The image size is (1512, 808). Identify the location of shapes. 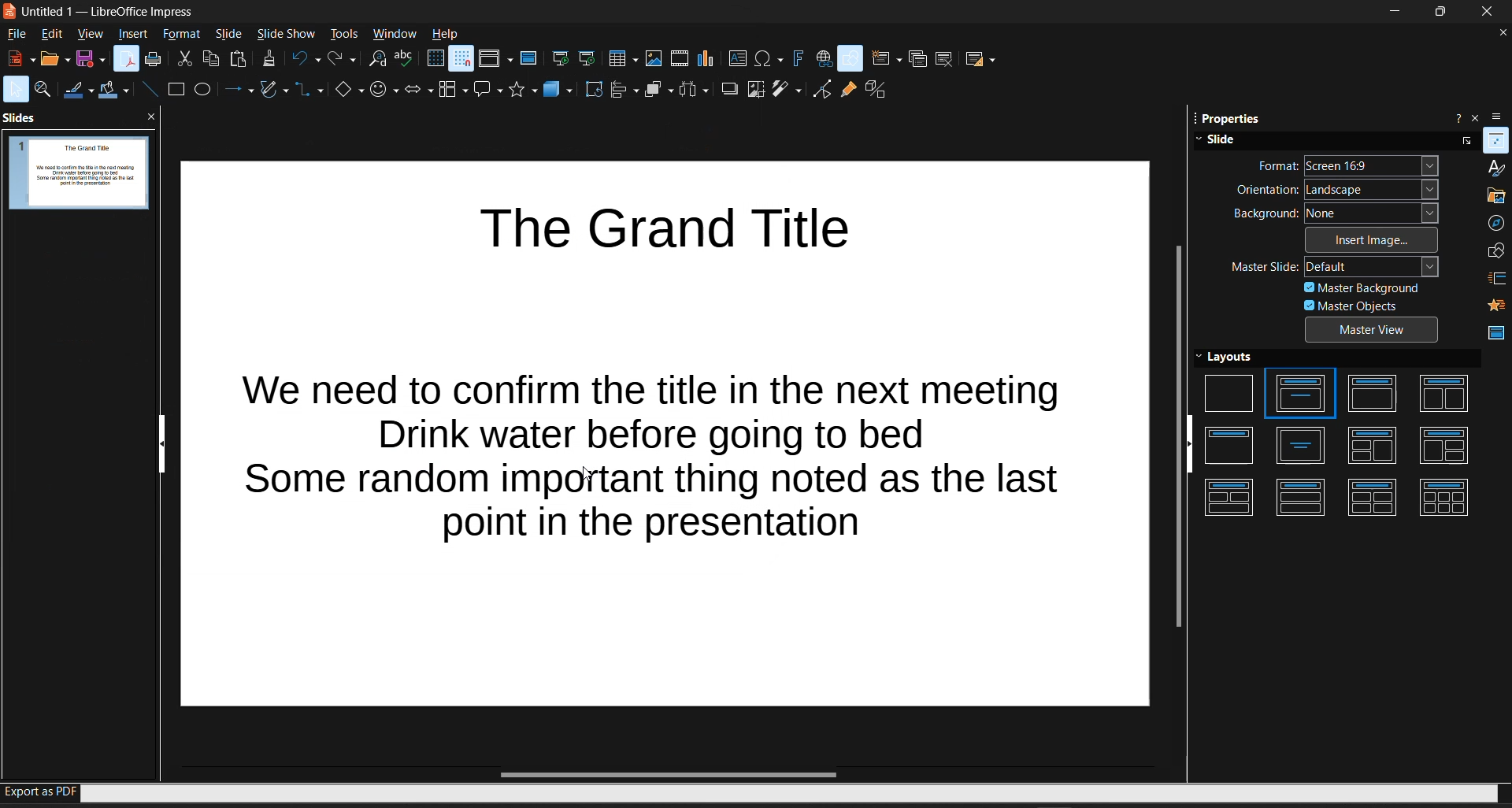
(1494, 250).